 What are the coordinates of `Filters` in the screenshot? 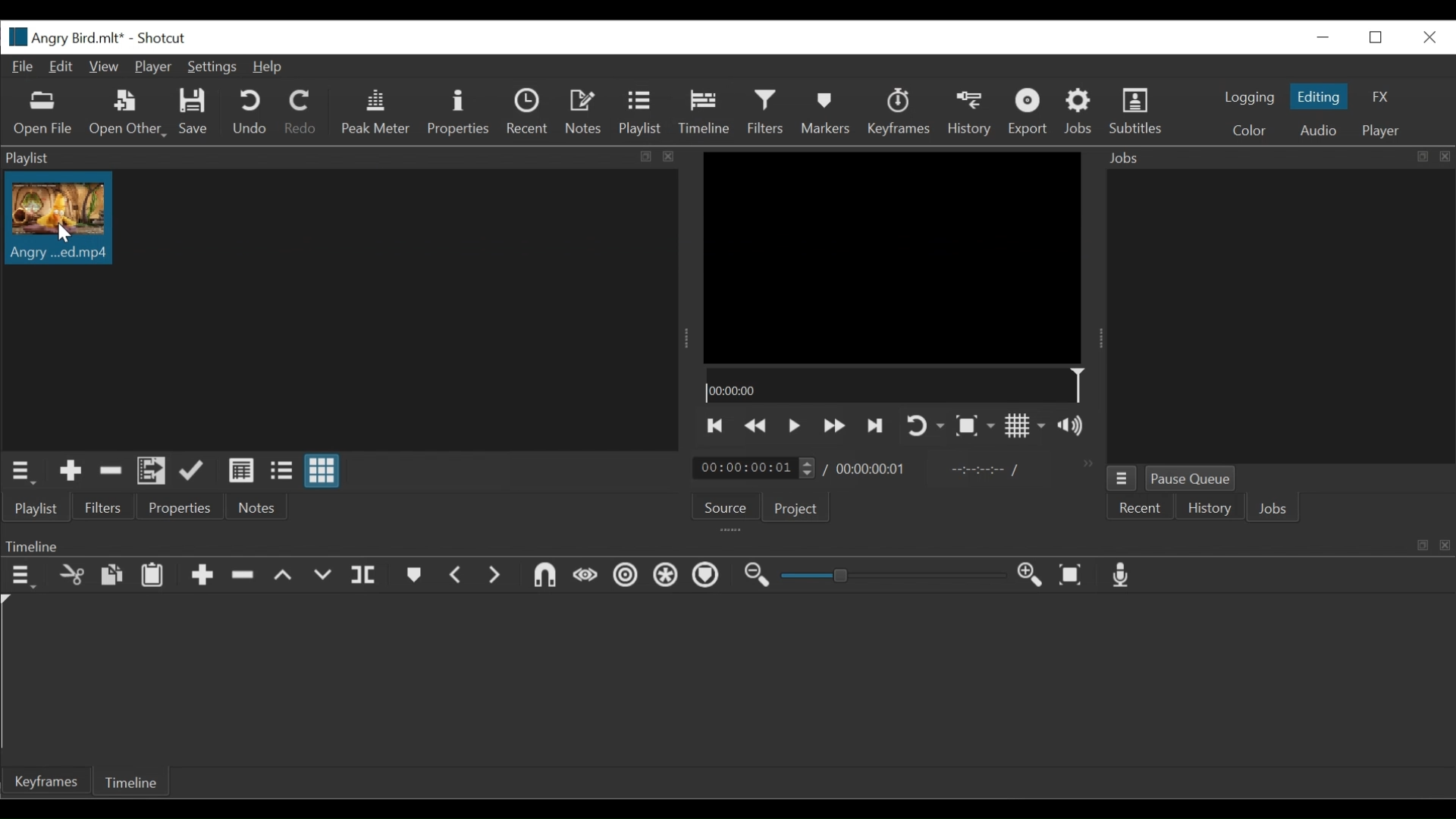 It's located at (102, 507).